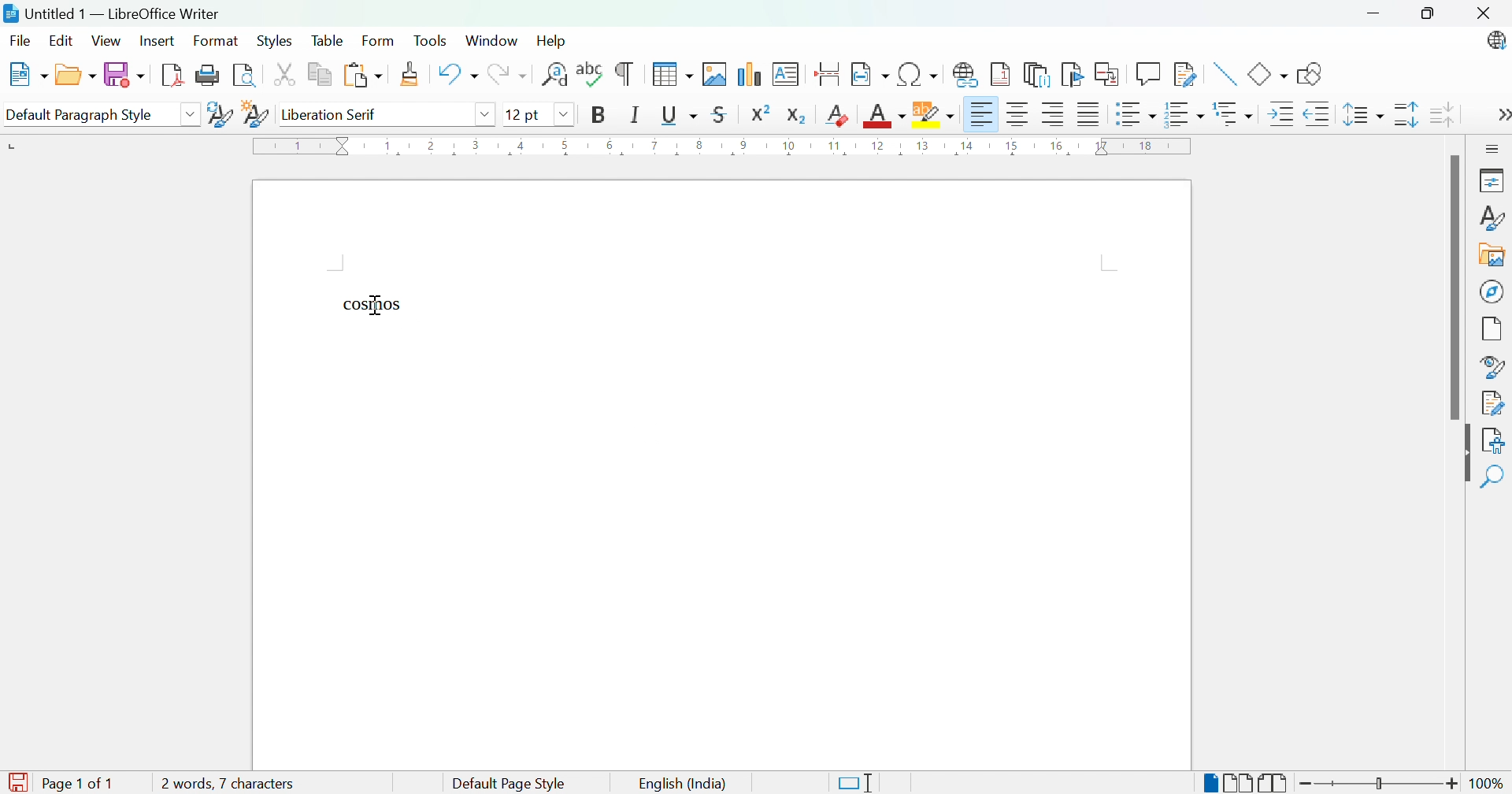 This screenshot has width=1512, height=794. Describe the element at coordinates (1234, 116) in the screenshot. I see `Select outline format` at that location.